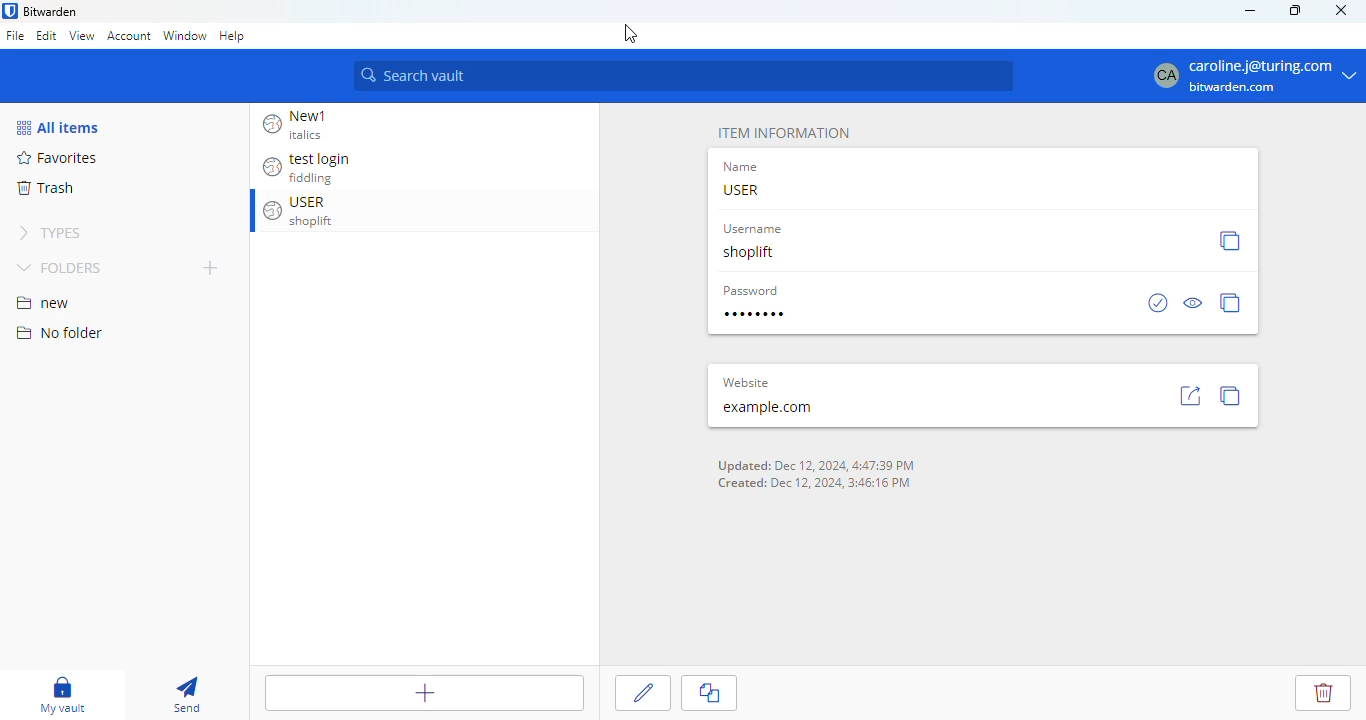 This screenshot has height=720, width=1366. What do you see at coordinates (301, 125) in the screenshot?
I see `New1  italics` at bounding box center [301, 125].